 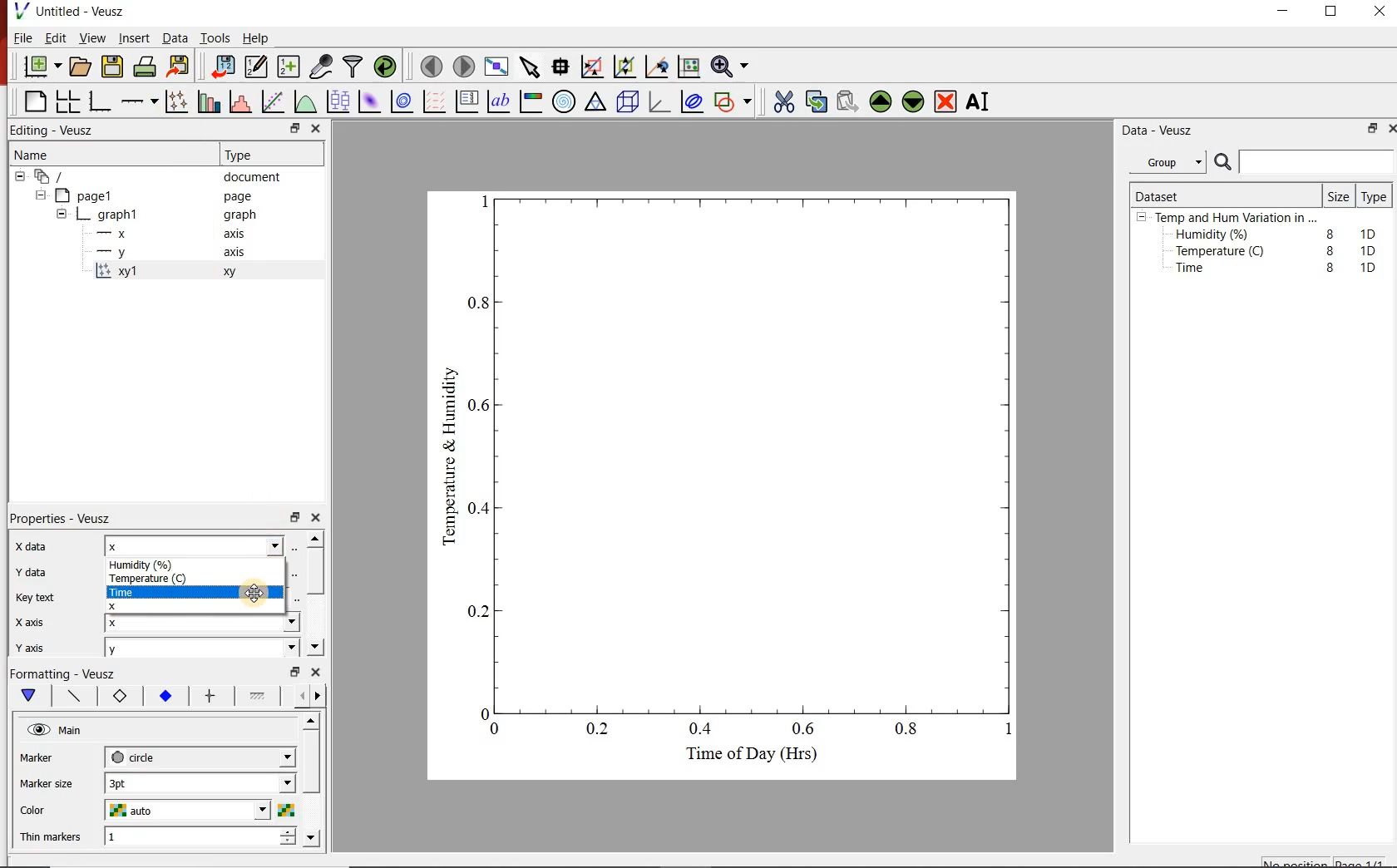 I want to click on Cursor, so click(x=256, y=593).